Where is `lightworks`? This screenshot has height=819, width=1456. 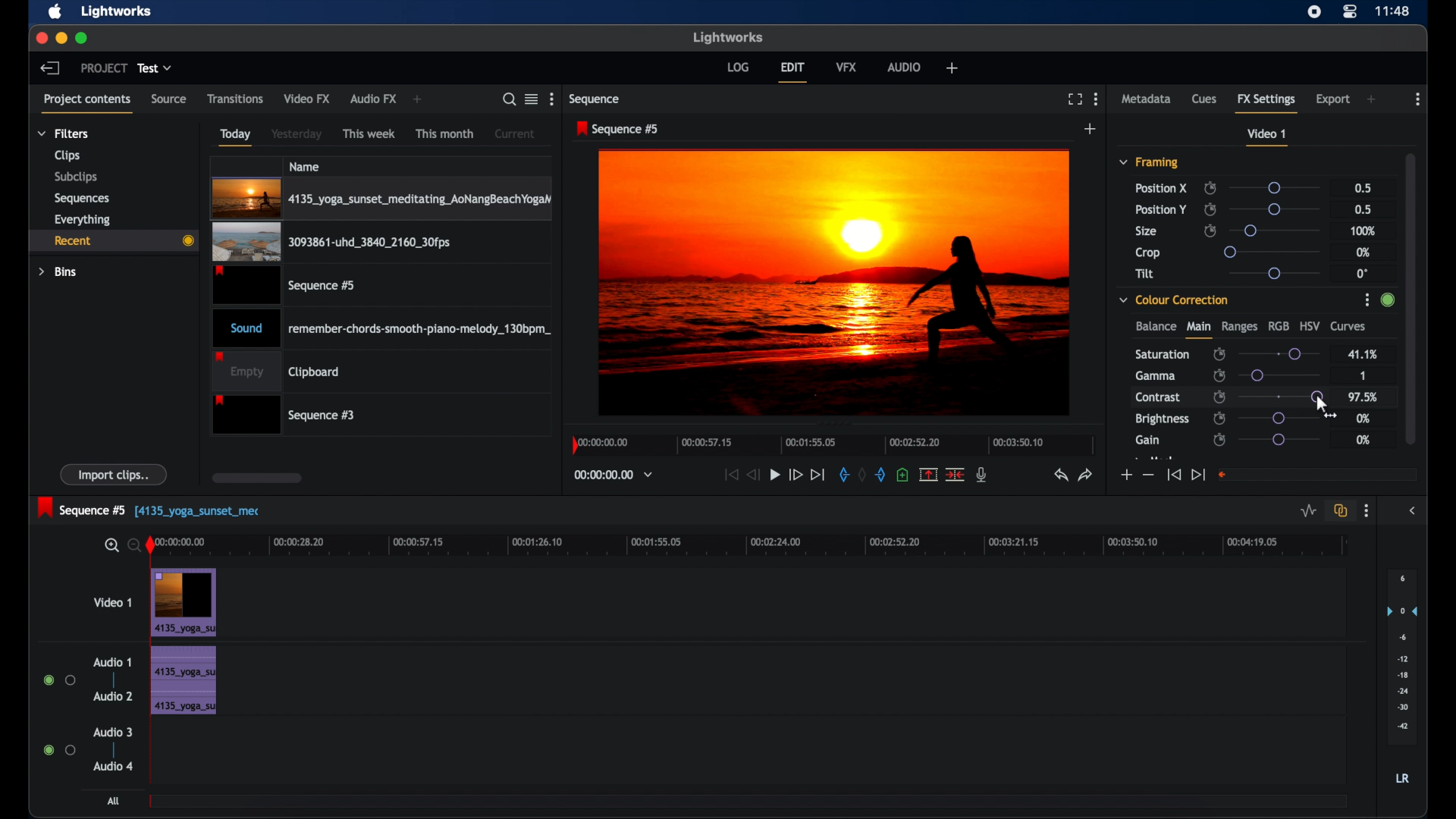
lightworks is located at coordinates (117, 12).